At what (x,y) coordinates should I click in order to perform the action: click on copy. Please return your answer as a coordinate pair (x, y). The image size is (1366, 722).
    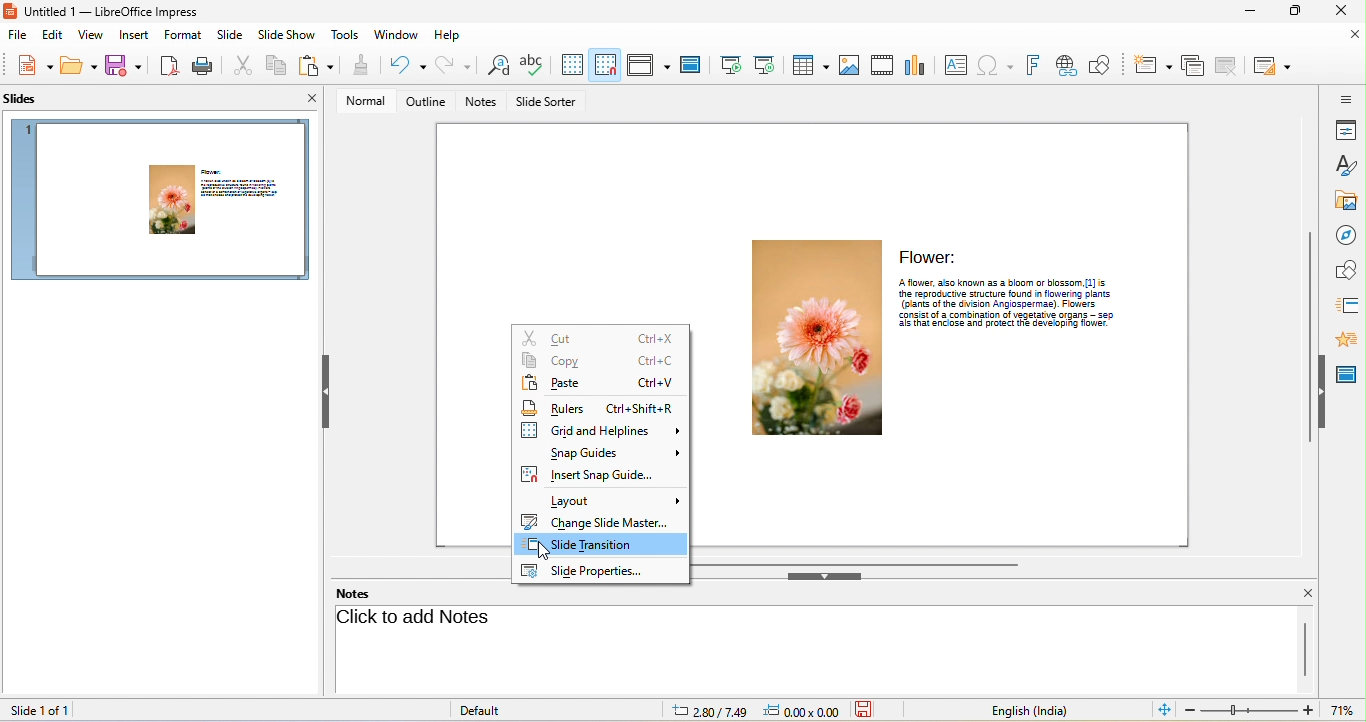
    Looking at the image, I should click on (273, 64).